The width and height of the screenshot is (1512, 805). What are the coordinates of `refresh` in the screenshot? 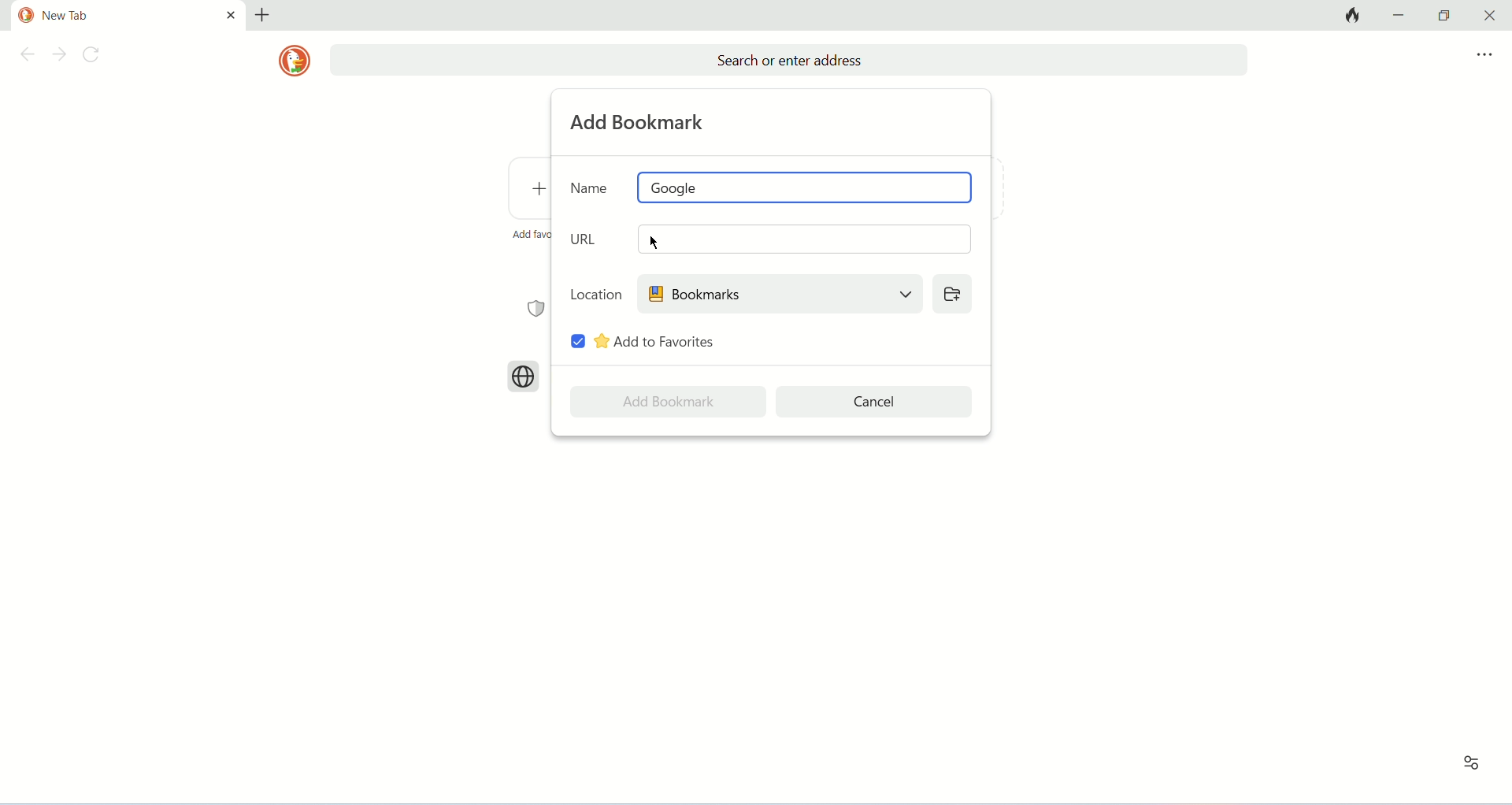 It's located at (95, 57).